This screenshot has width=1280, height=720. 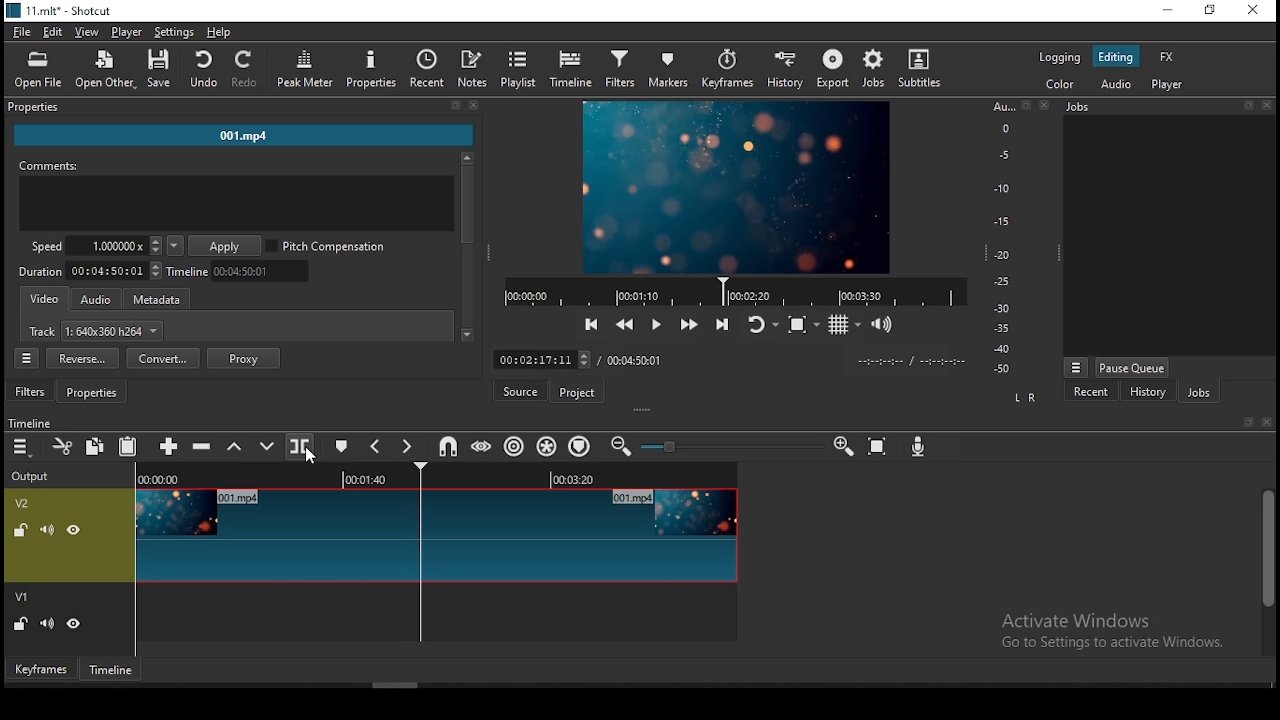 I want to click on editing, so click(x=1115, y=57).